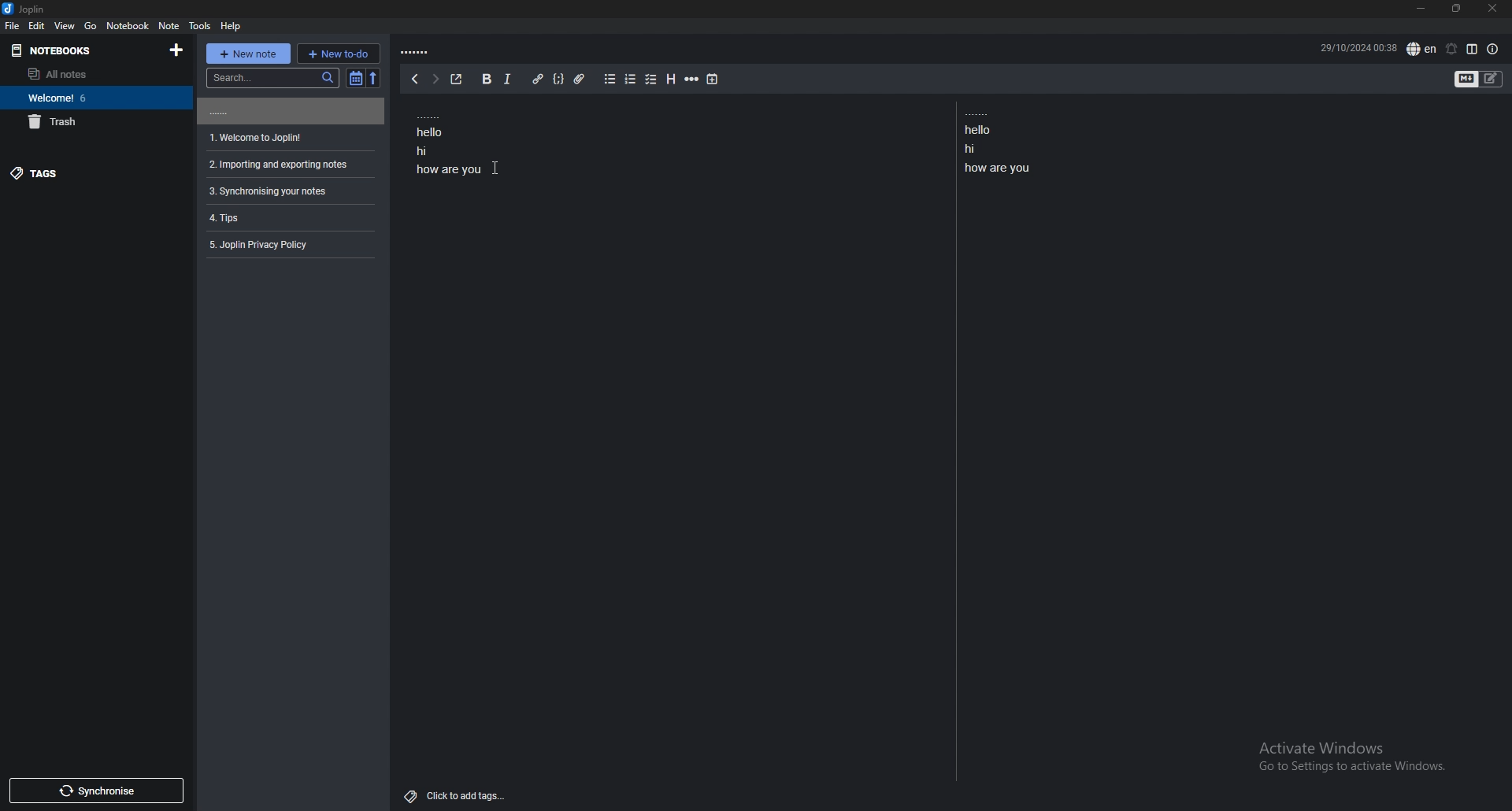 This screenshot has height=811, width=1512. What do you see at coordinates (631, 80) in the screenshot?
I see `numbered list` at bounding box center [631, 80].